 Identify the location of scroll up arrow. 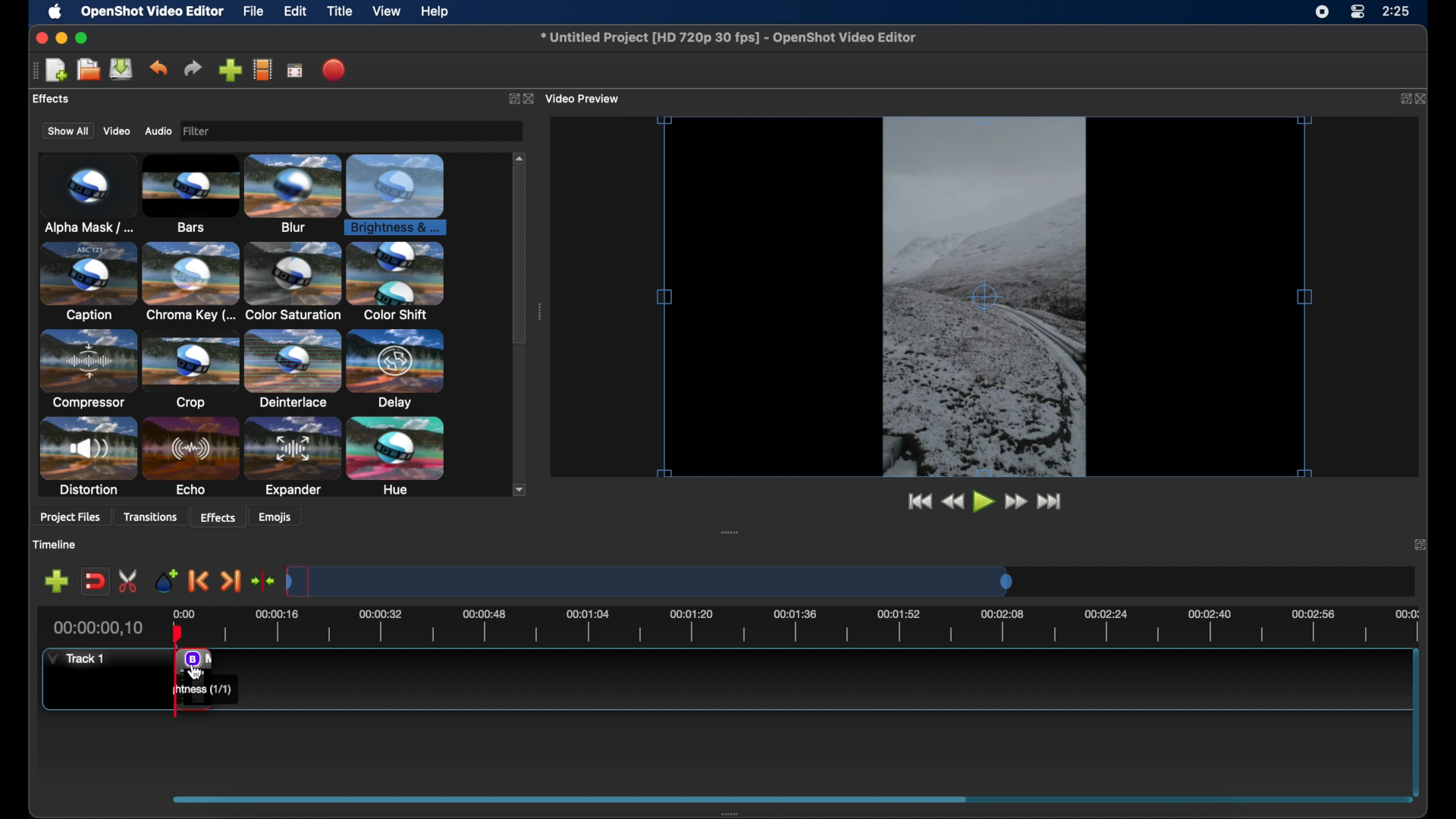
(519, 156).